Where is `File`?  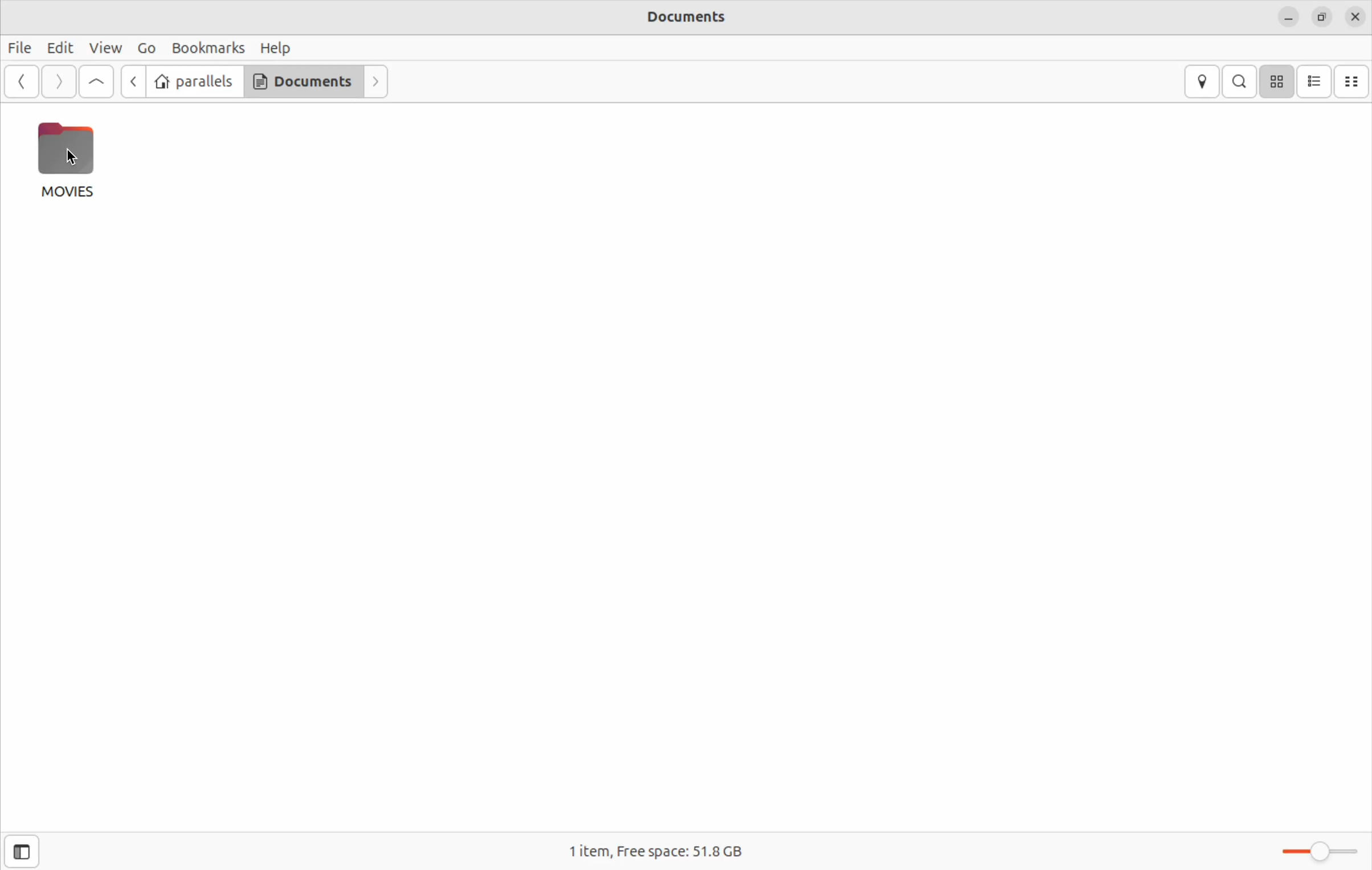
File is located at coordinates (19, 47).